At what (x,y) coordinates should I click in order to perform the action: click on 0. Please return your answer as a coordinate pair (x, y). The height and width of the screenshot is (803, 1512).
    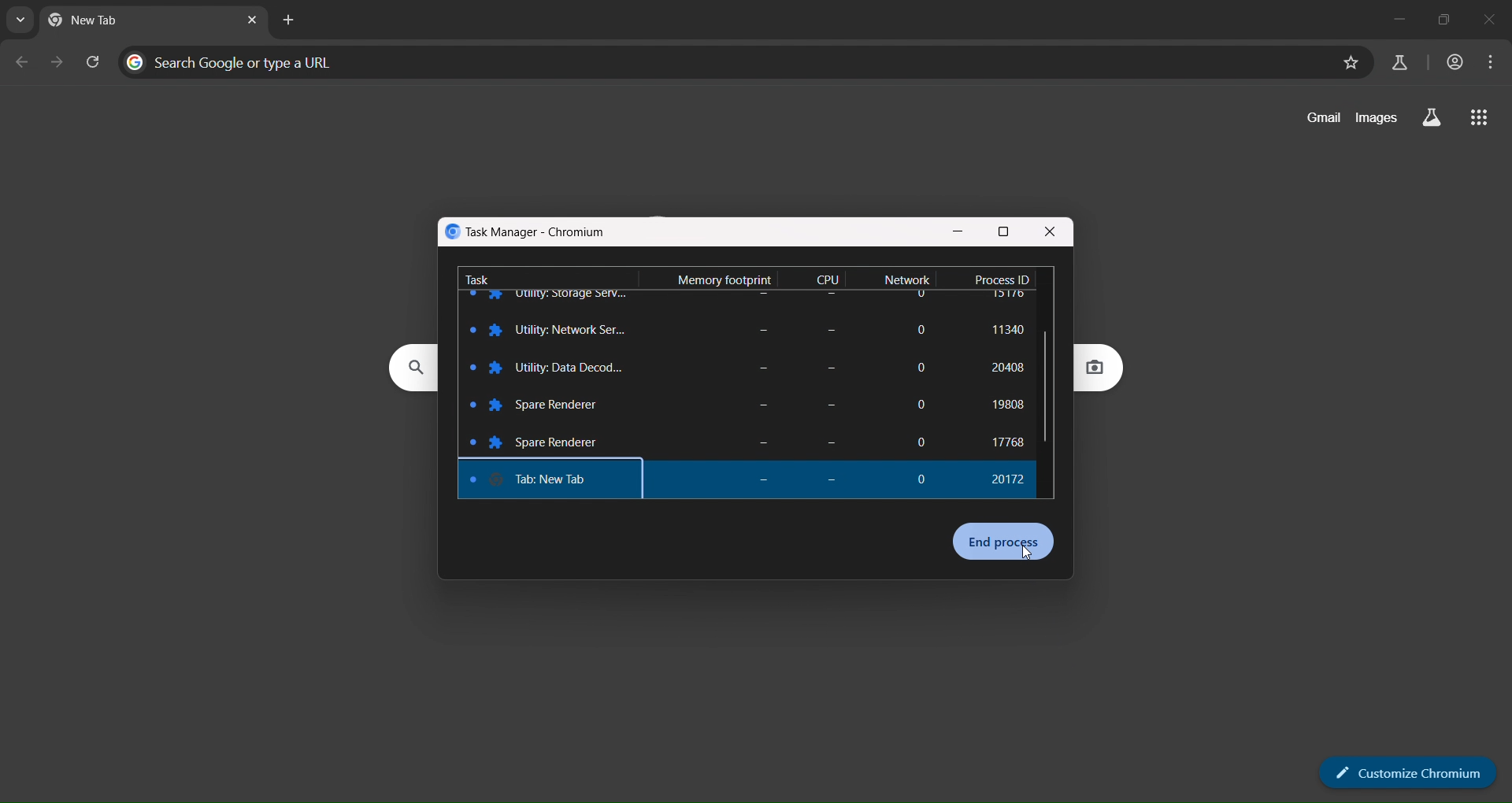
    Looking at the image, I should click on (918, 326).